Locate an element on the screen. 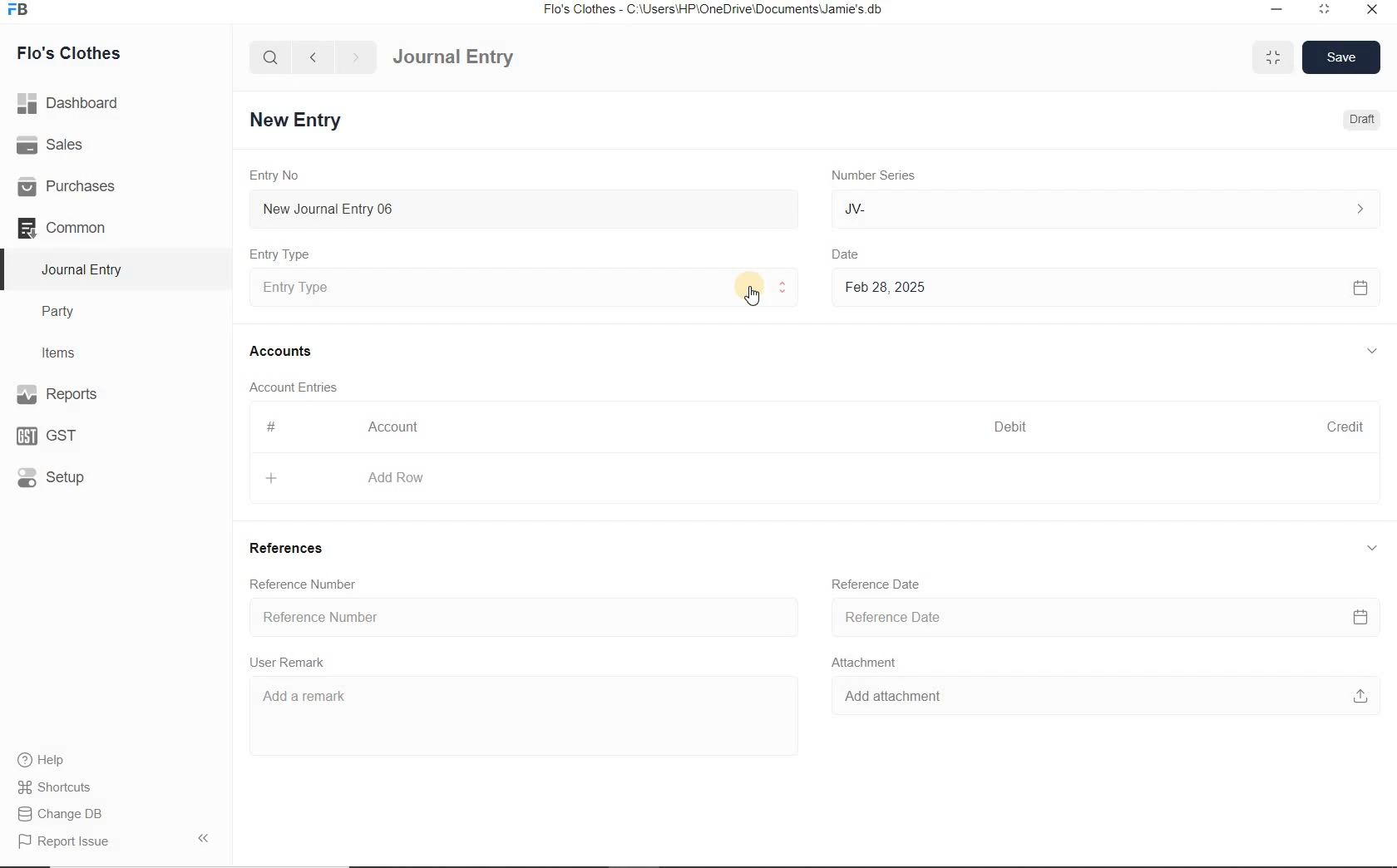 This screenshot has width=1397, height=868. Collpase is located at coordinates (203, 837).